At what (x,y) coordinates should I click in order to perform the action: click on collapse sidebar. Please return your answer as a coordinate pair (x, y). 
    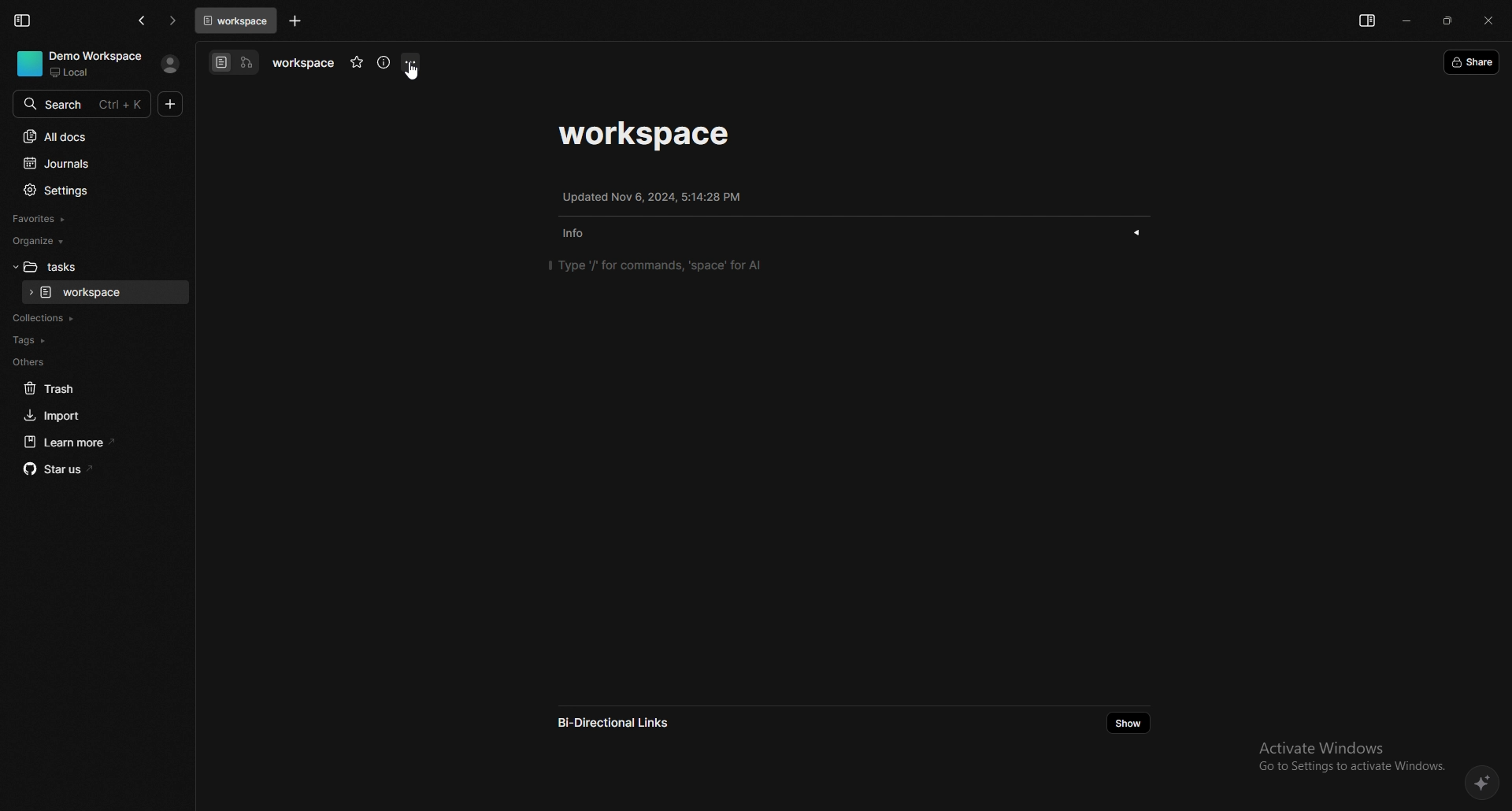
    Looking at the image, I should click on (22, 20).